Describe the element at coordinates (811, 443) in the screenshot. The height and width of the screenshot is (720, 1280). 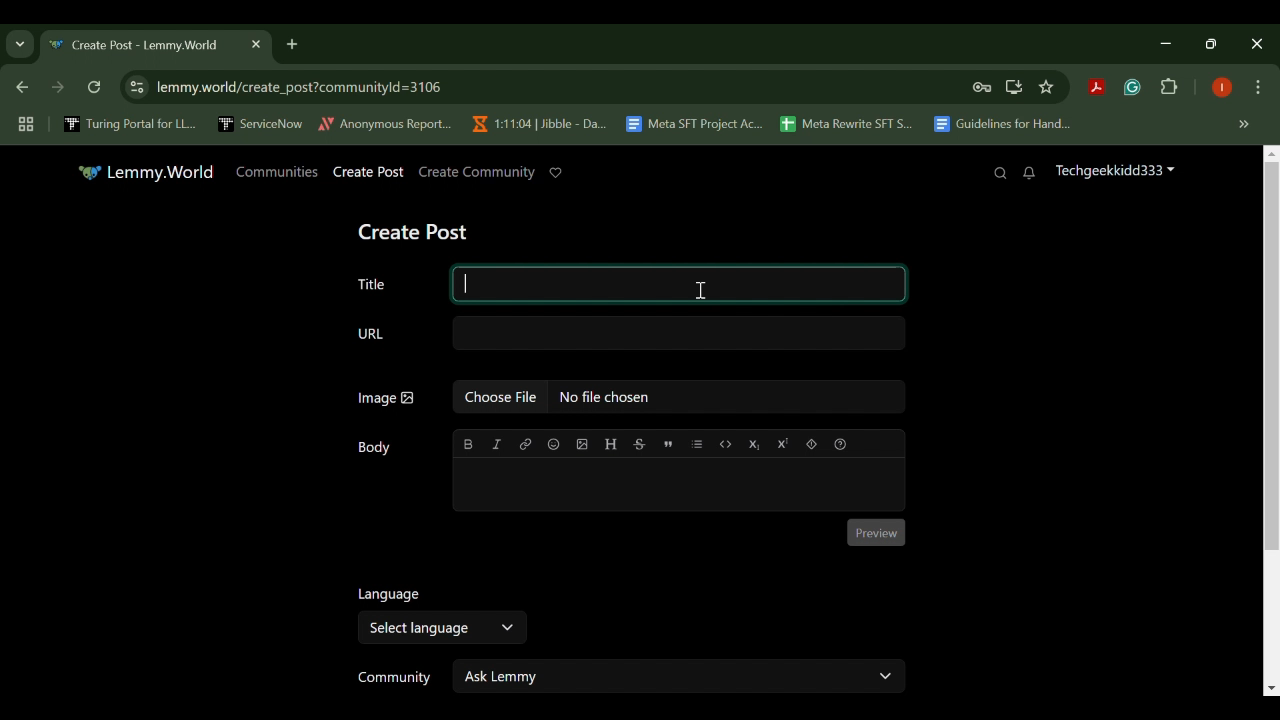
I see `spoiler` at that location.